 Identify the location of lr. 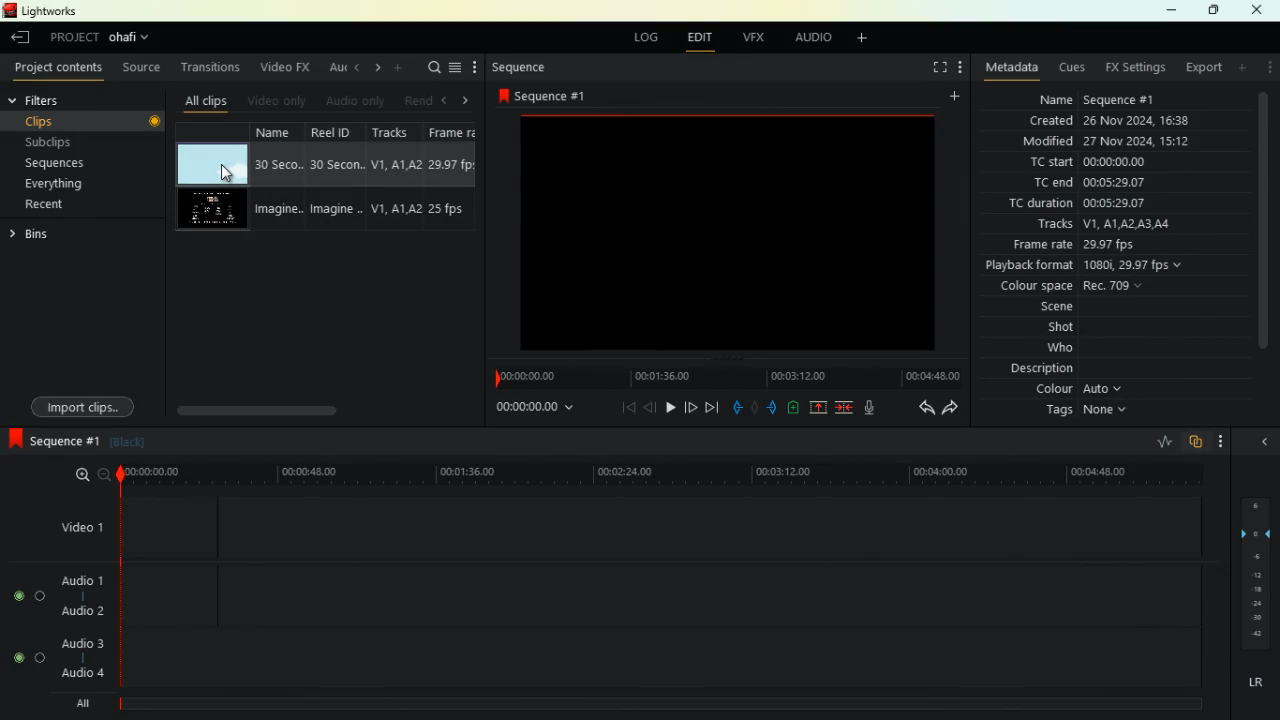
(1248, 684).